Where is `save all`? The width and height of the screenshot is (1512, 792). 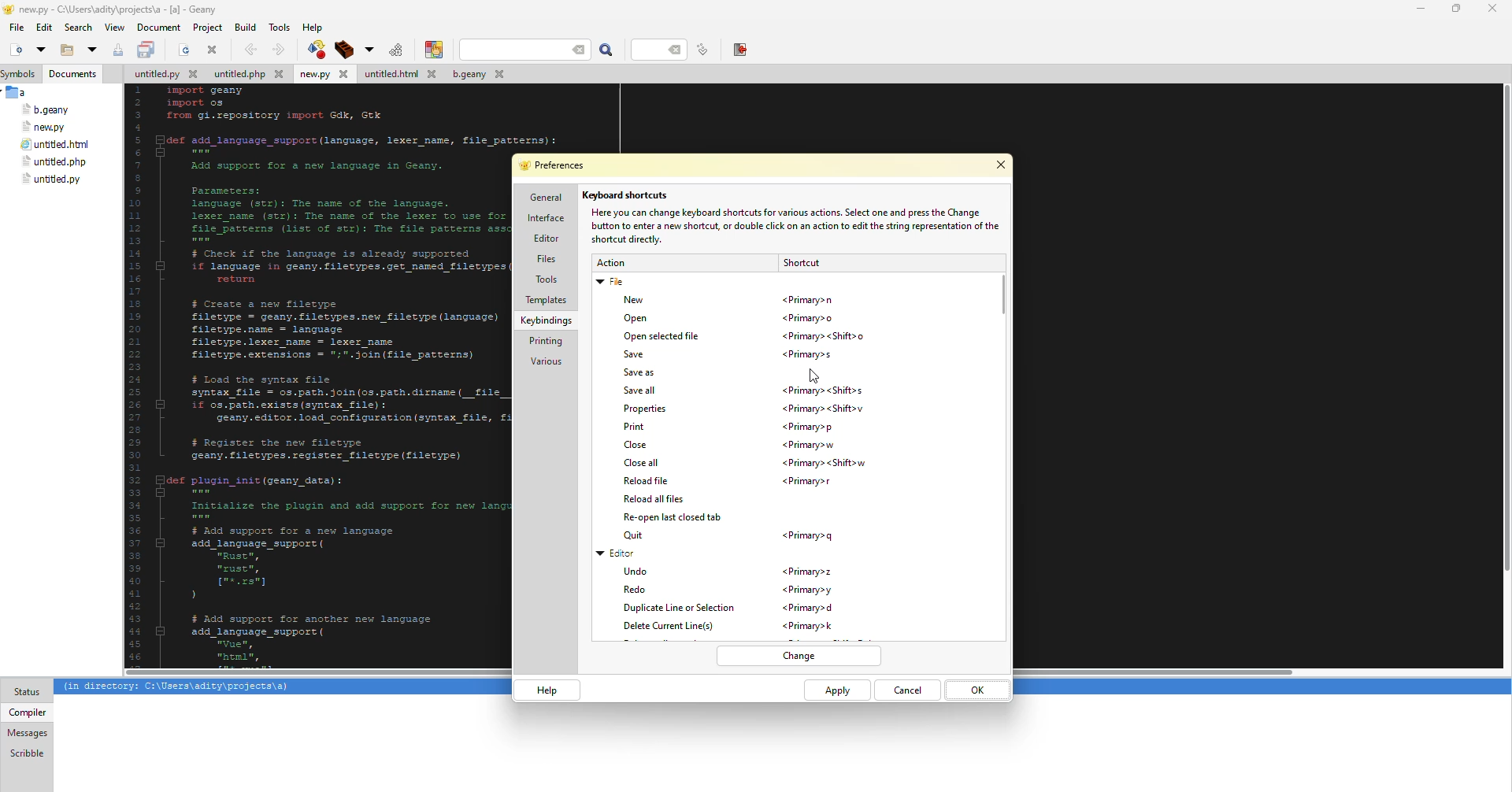
save all is located at coordinates (641, 390).